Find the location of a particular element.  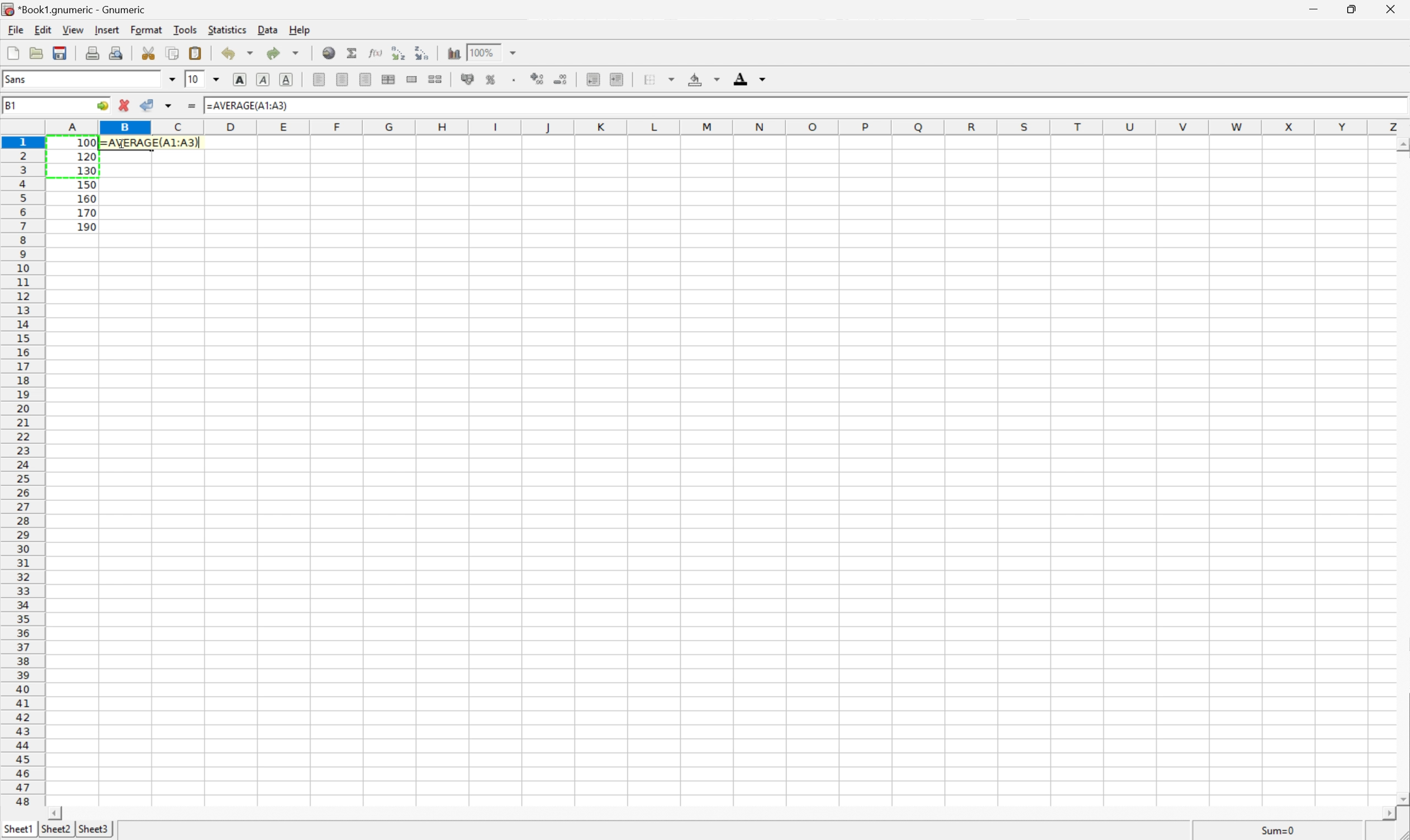

Print Preview is located at coordinates (118, 52).